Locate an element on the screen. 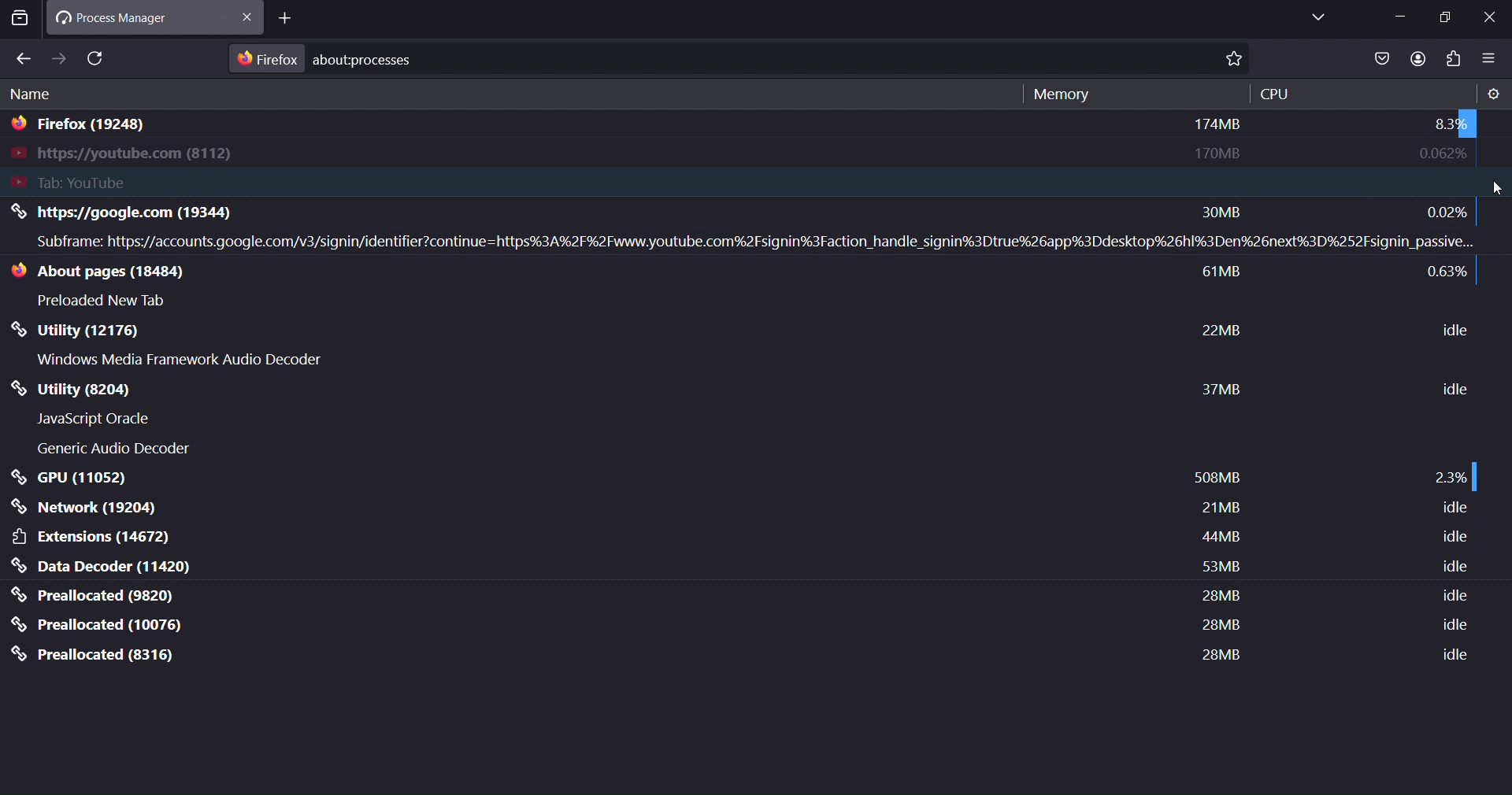 This screenshot has width=1512, height=795. utility is located at coordinates (80, 333).